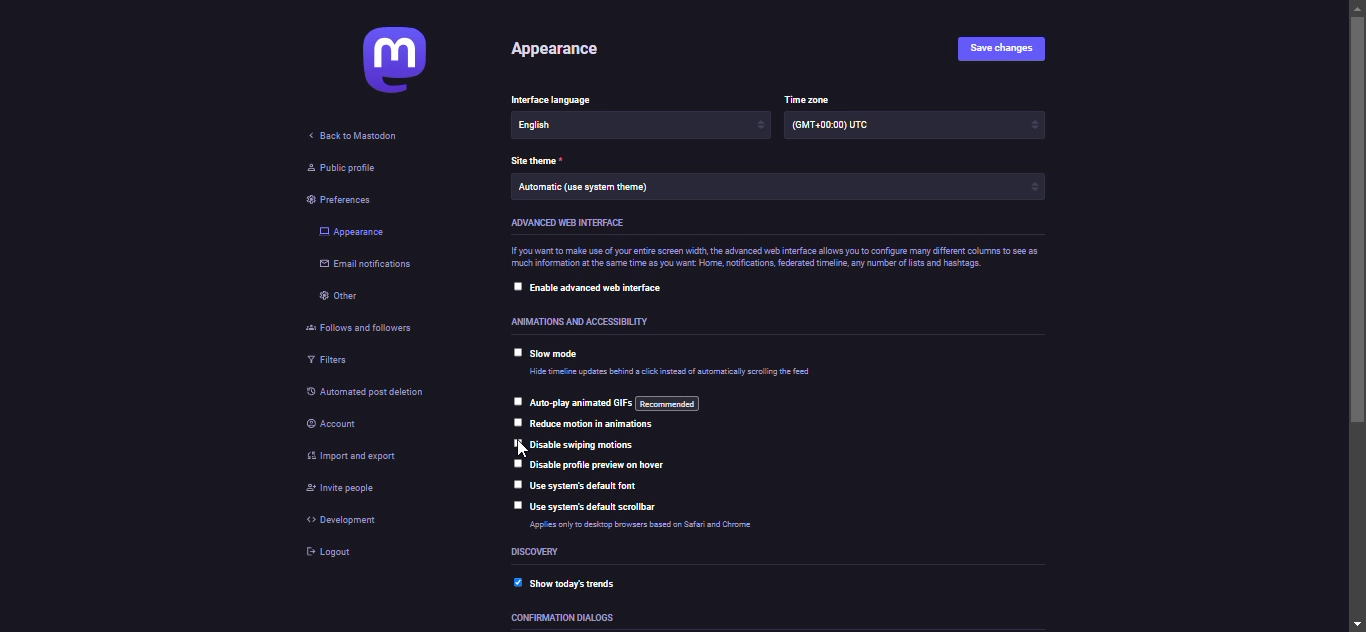 The width and height of the screenshot is (1366, 632). What do you see at coordinates (1358, 316) in the screenshot?
I see `scroll bar` at bounding box center [1358, 316].